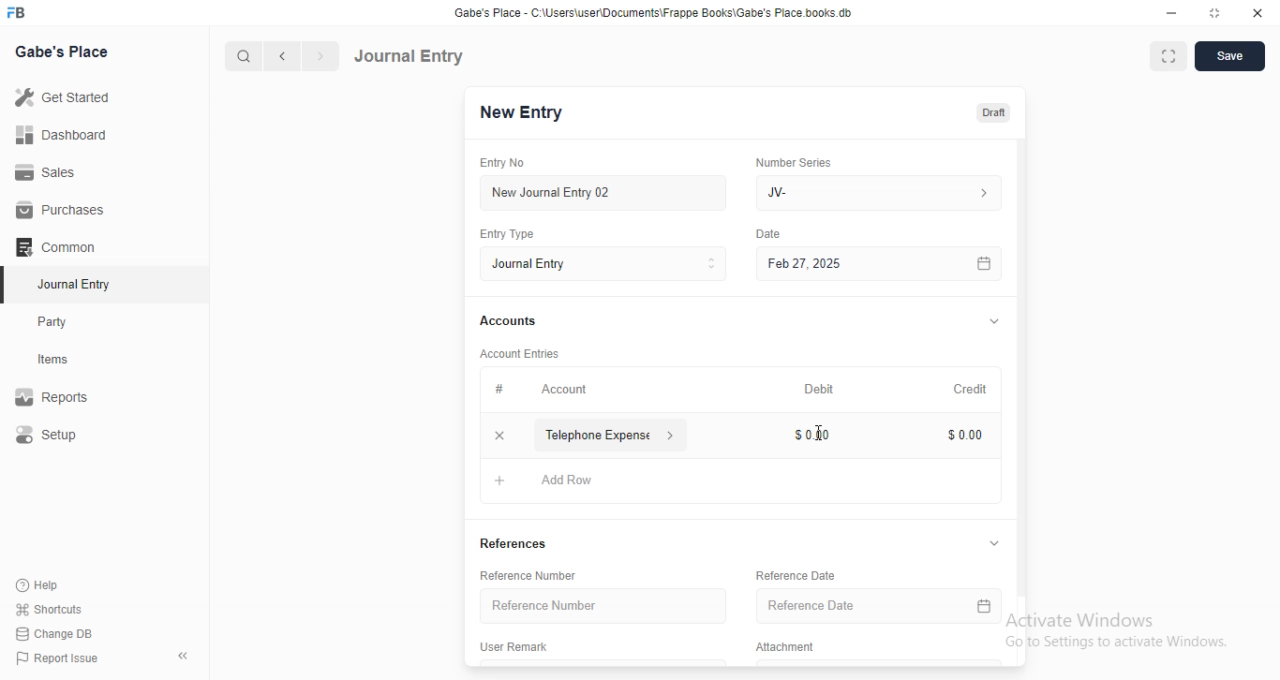 This screenshot has height=680, width=1280. I want to click on Reference Number, so click(537, 574).